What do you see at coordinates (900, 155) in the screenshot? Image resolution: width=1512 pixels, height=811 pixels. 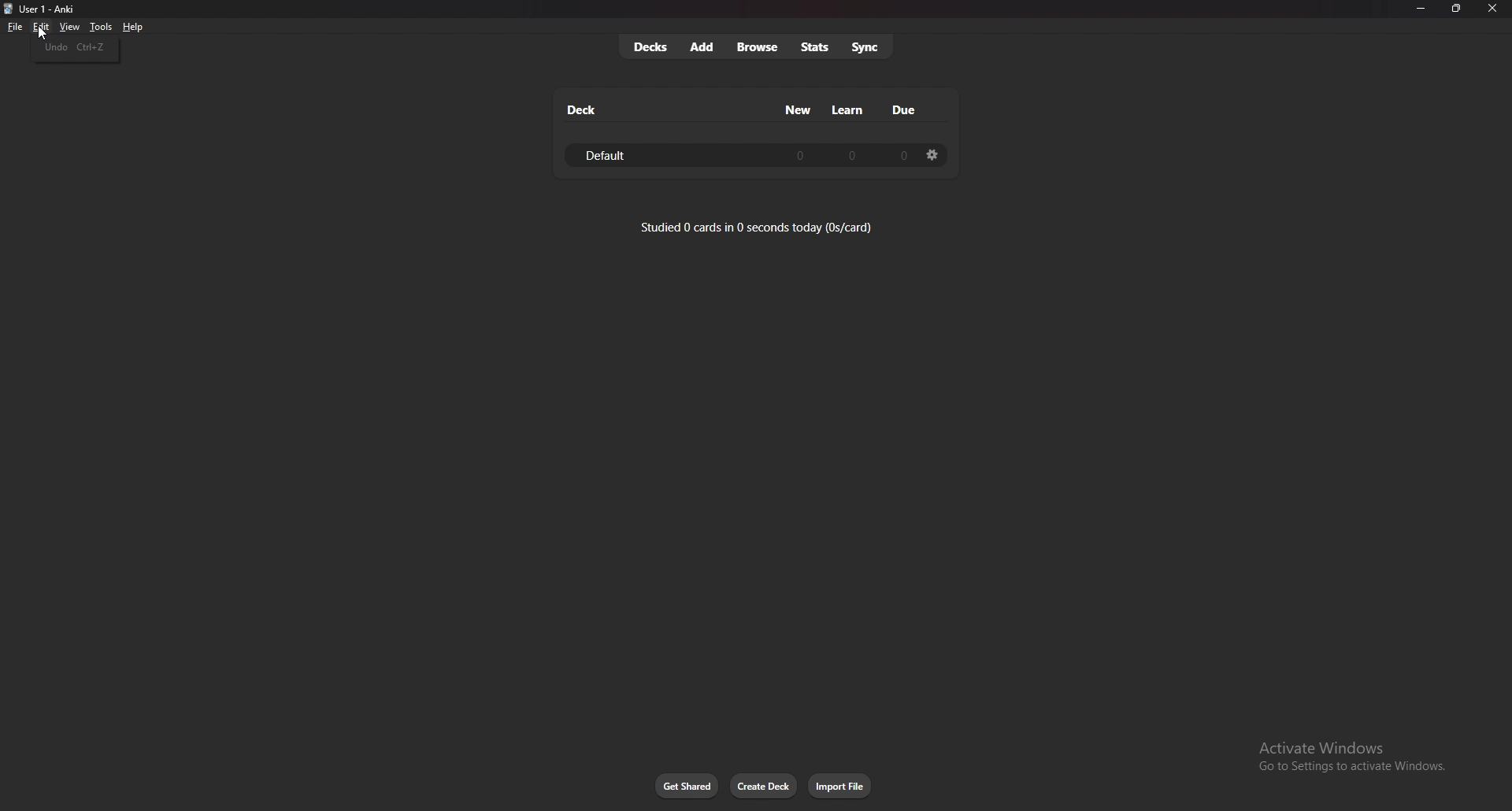 I see `0` at bounding box center [900, 155].